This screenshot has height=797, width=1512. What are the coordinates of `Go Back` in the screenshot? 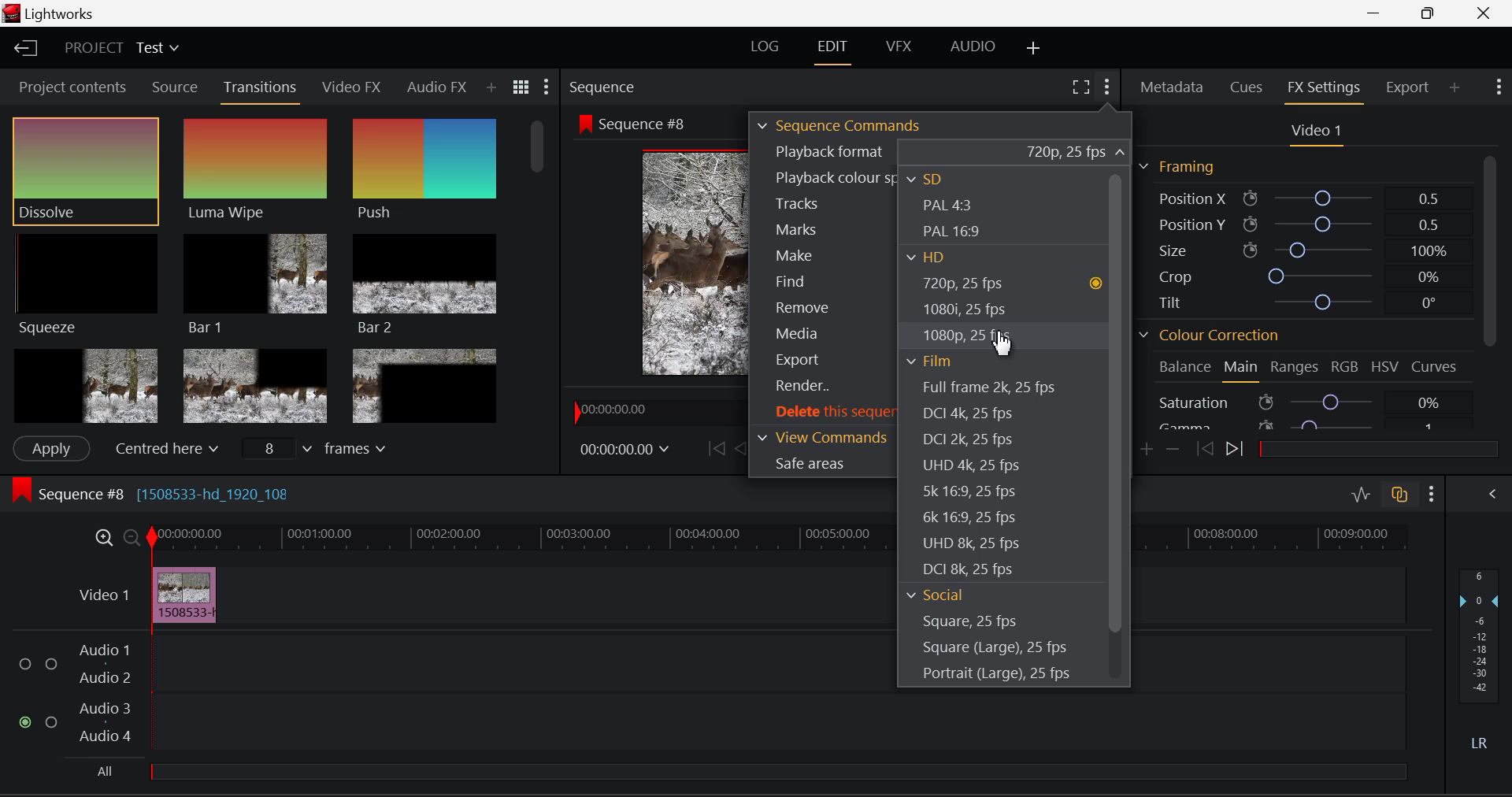 It's located at (742, 448).